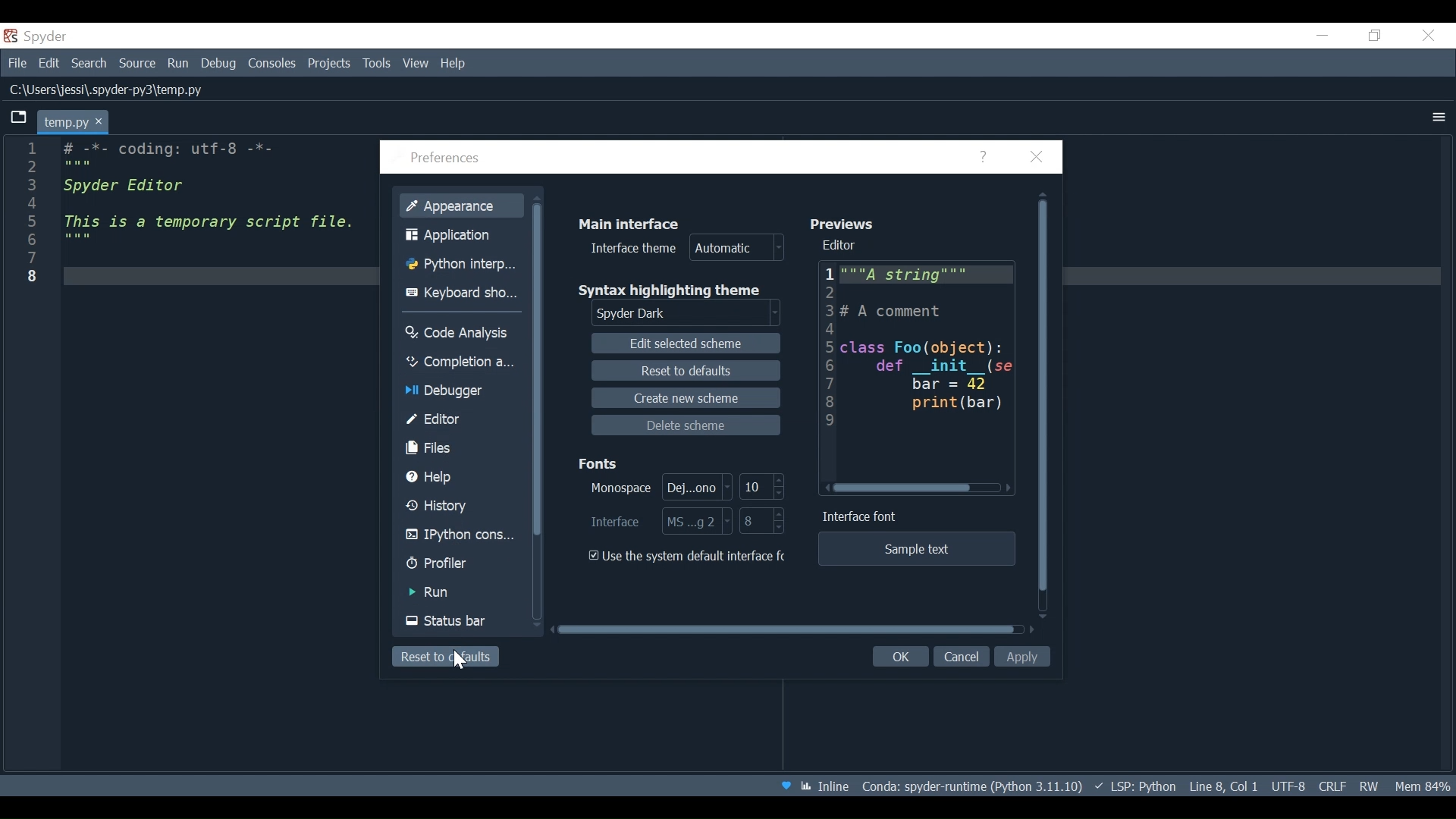  Describe the element at coordinates (793, 629) in the screenshot. I see `Horizontal Scroll bar` at that location.